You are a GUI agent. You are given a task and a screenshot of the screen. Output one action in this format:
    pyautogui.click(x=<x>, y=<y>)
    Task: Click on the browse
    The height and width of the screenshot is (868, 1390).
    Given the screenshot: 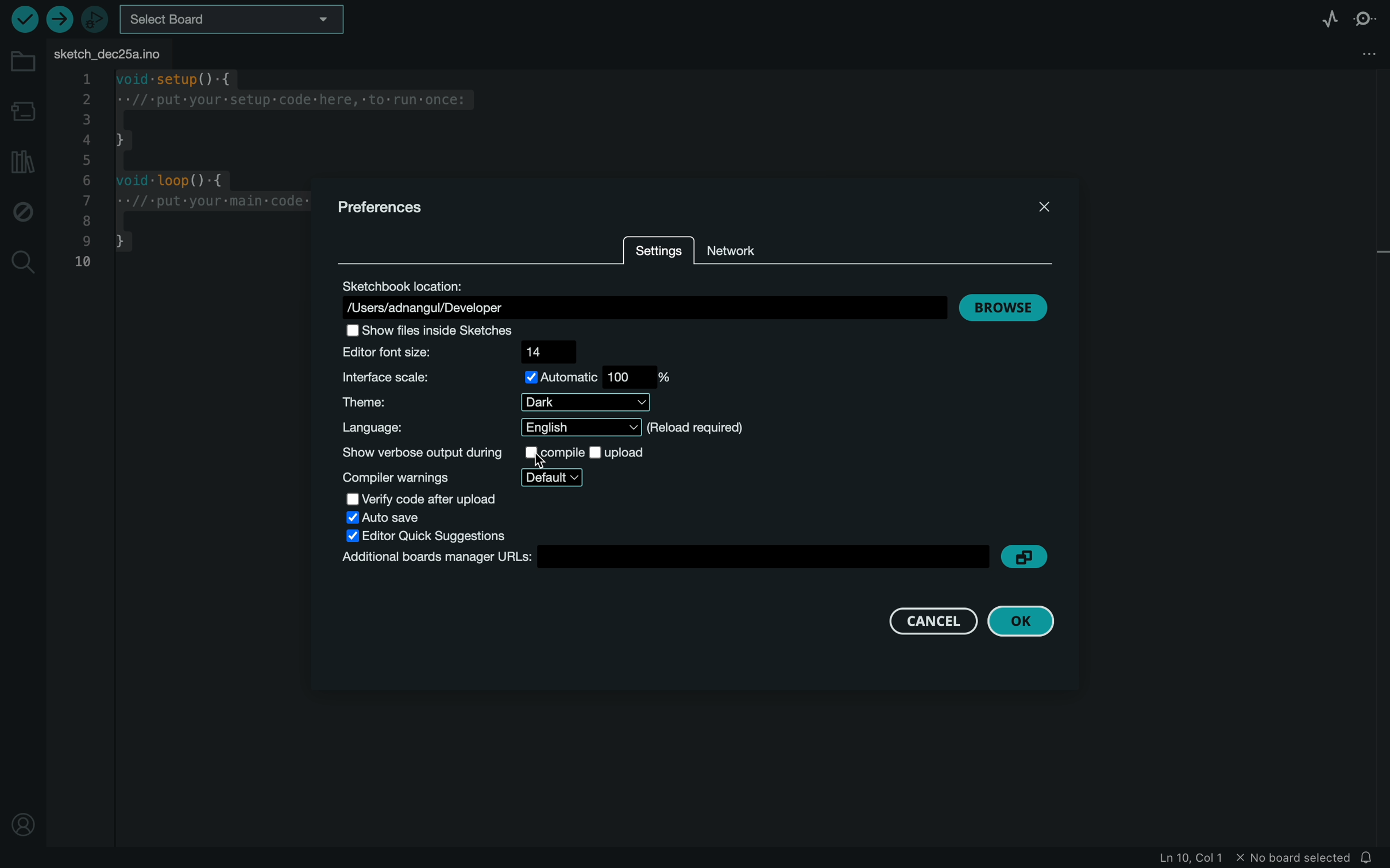 What is the action you would take?
    pyautogui.click(x=1003, y=309)
    